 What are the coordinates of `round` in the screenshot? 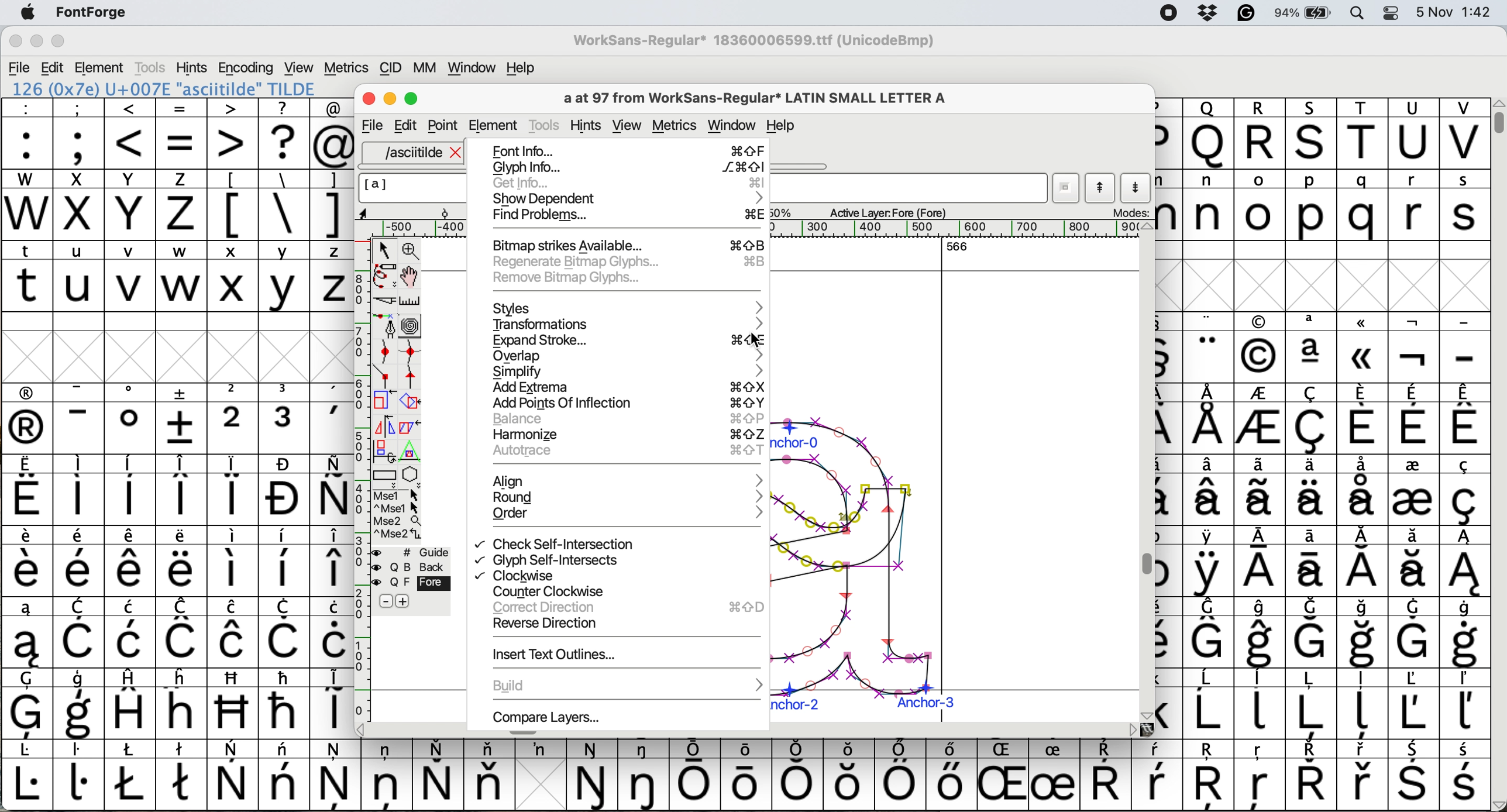 It's located at (628, 497).